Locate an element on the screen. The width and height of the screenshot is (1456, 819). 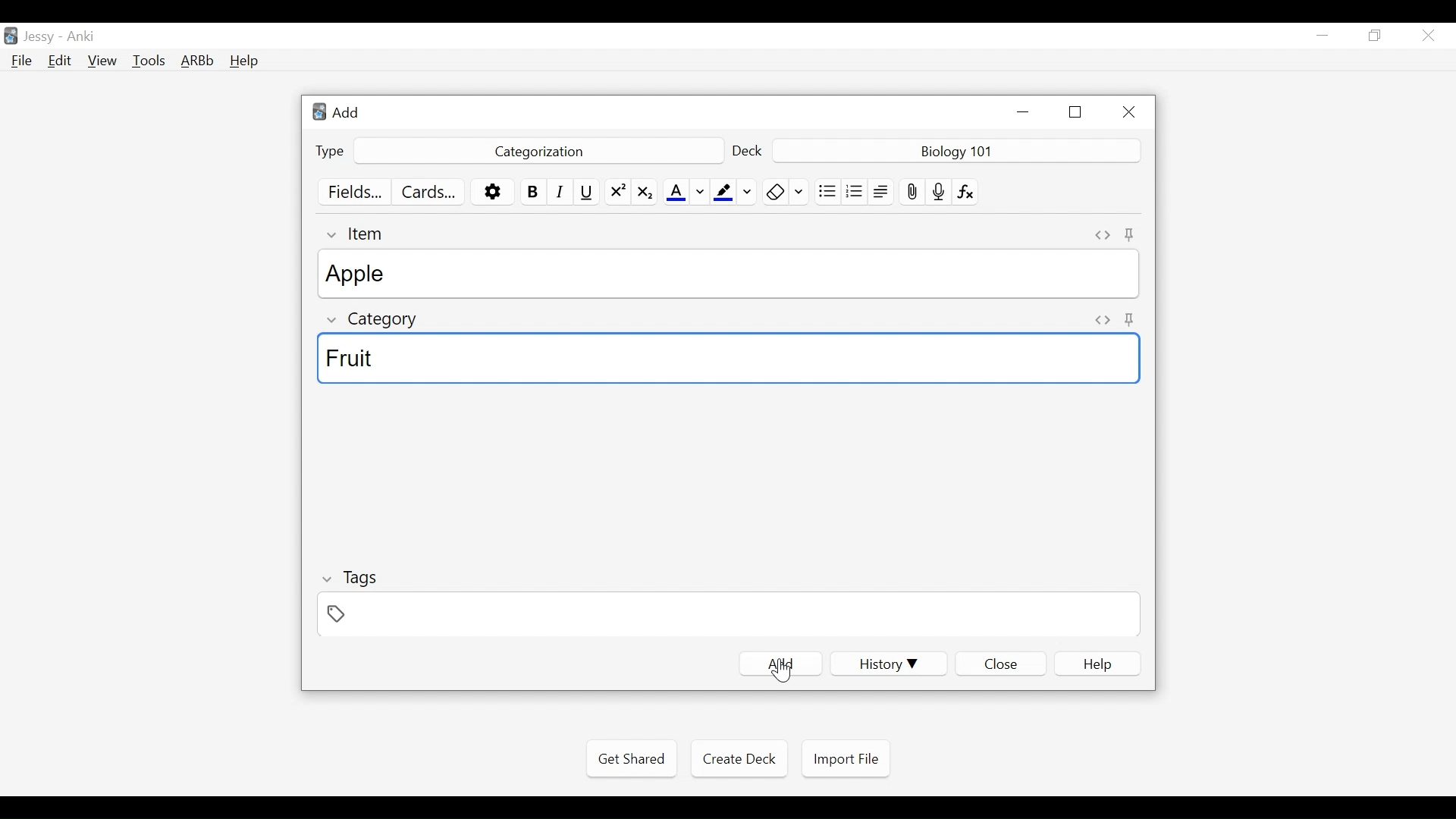
Deck is located at coordinates (748, 152).